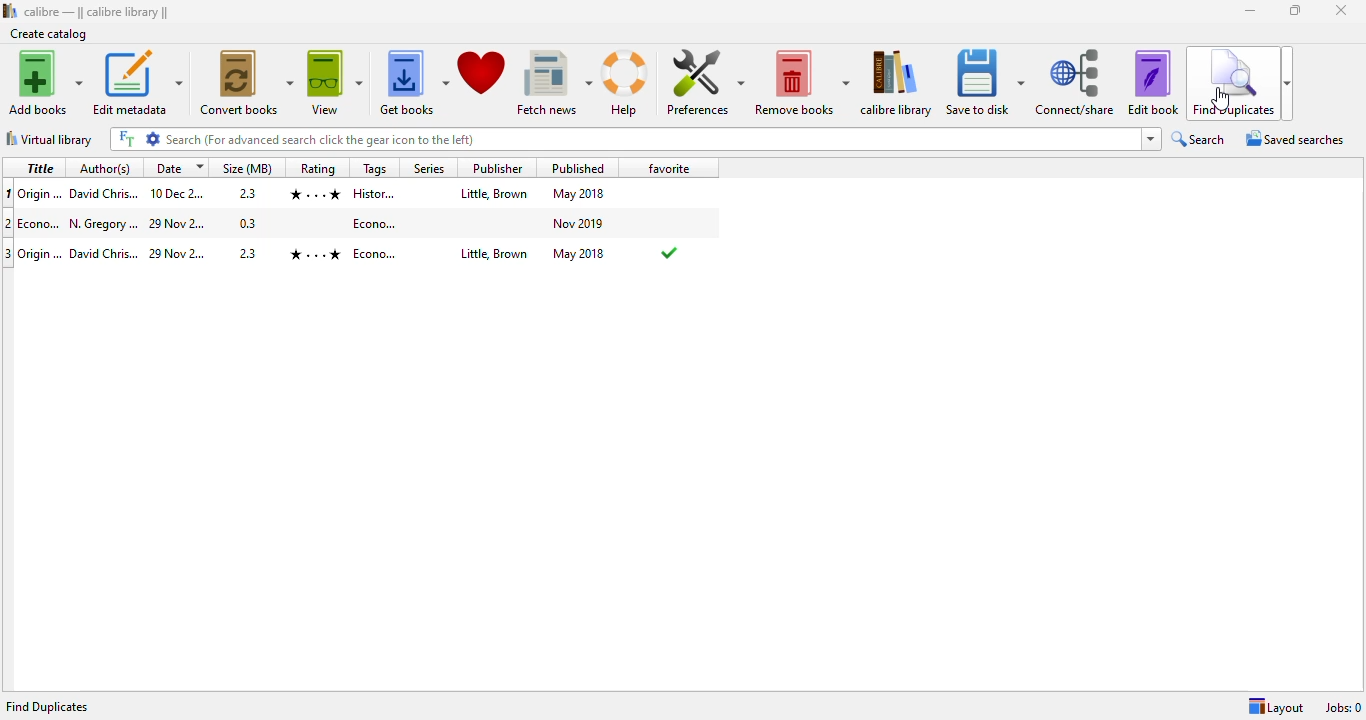 The width and height of the screenshot is (1366, 720). Describe the element at coordinates (1239, 83) in the screenshot. I see `find duplicates` at that location.